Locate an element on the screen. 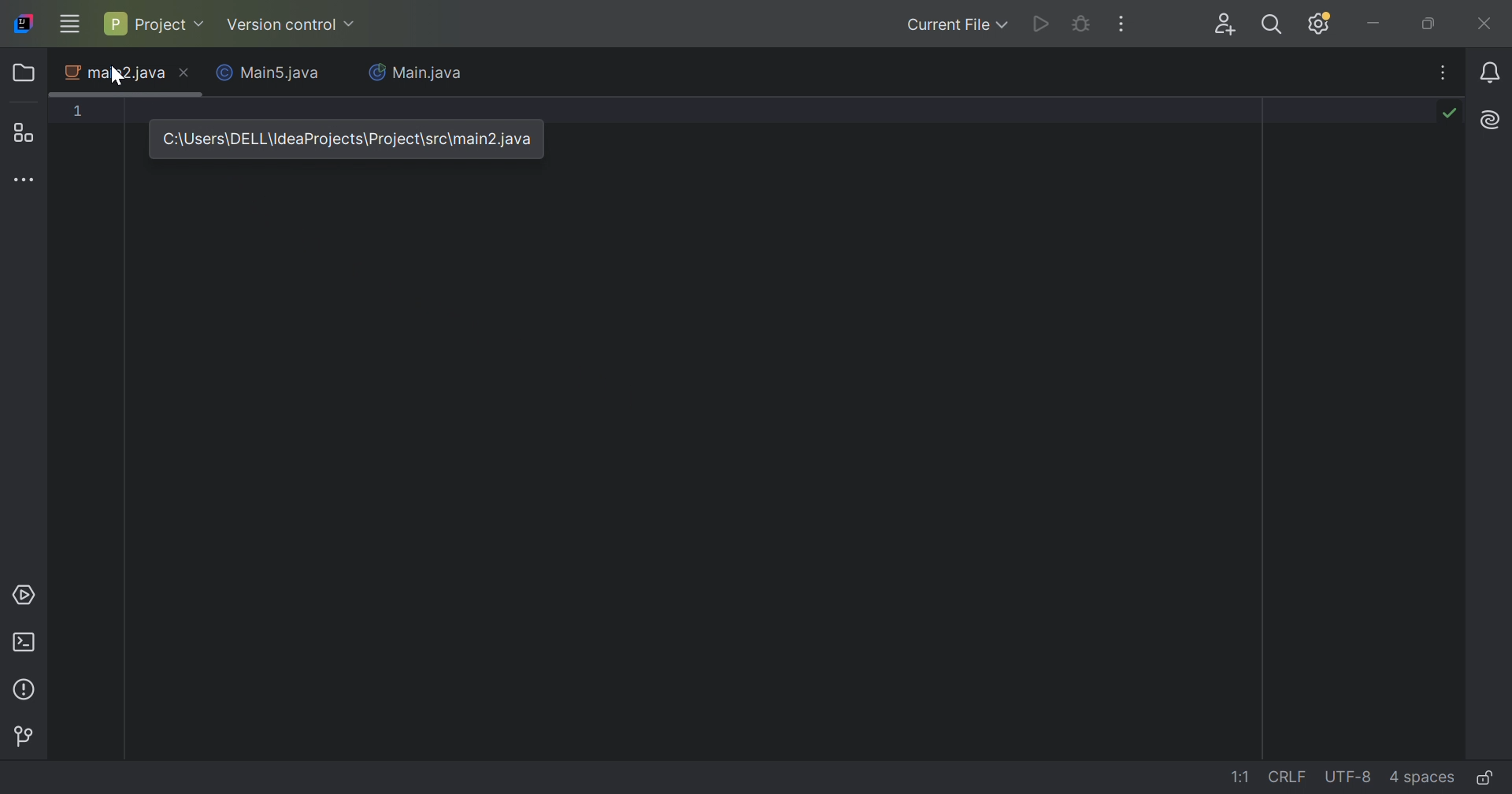 The image size is (1512, 794). line separator: \r\n is located at coordinates (1288, 777).